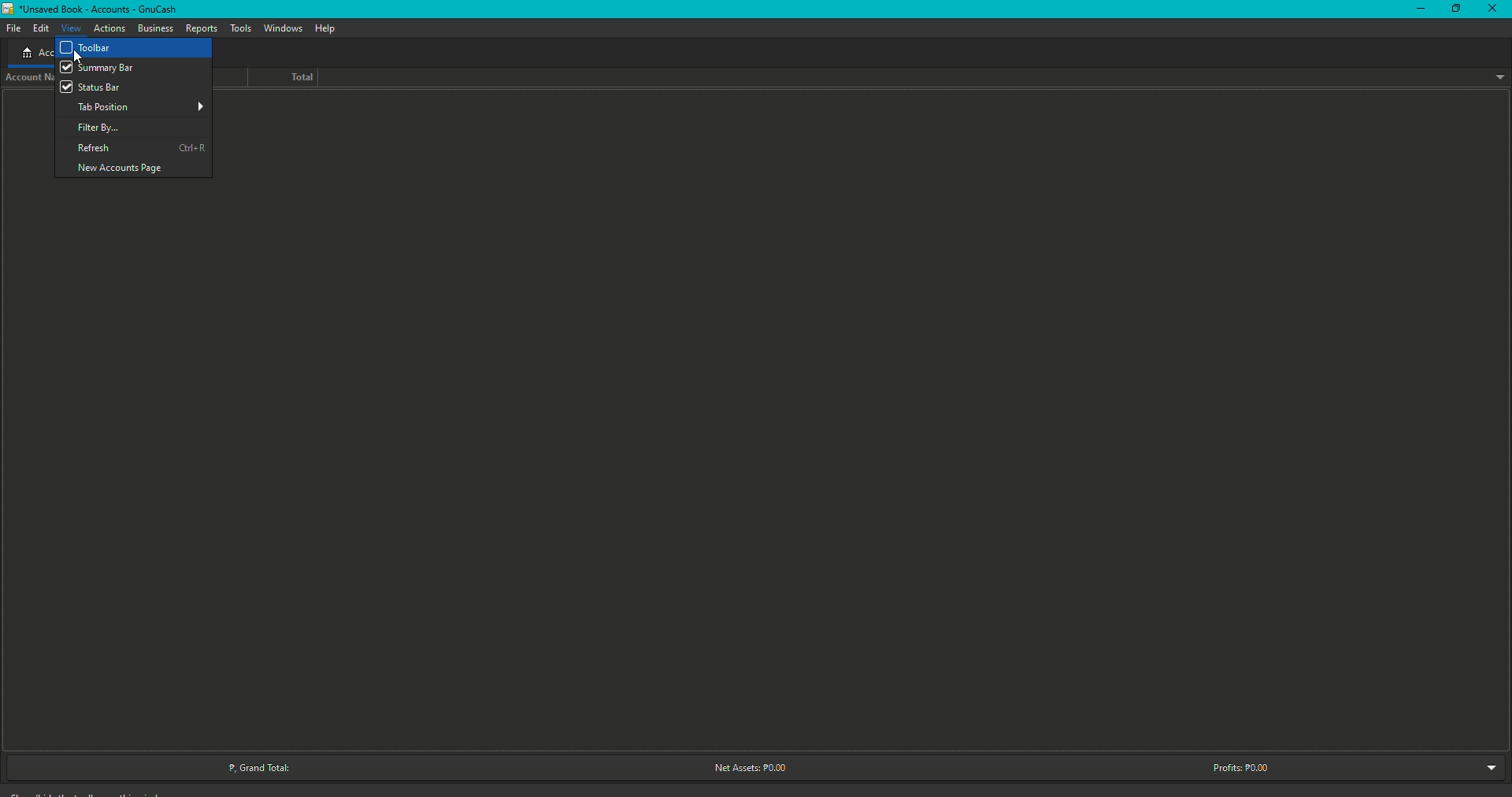 This screenshot has width=1512, height=797. Describe the element at coordinates (155, 28) in the screenshot. I see `Business` at that location.